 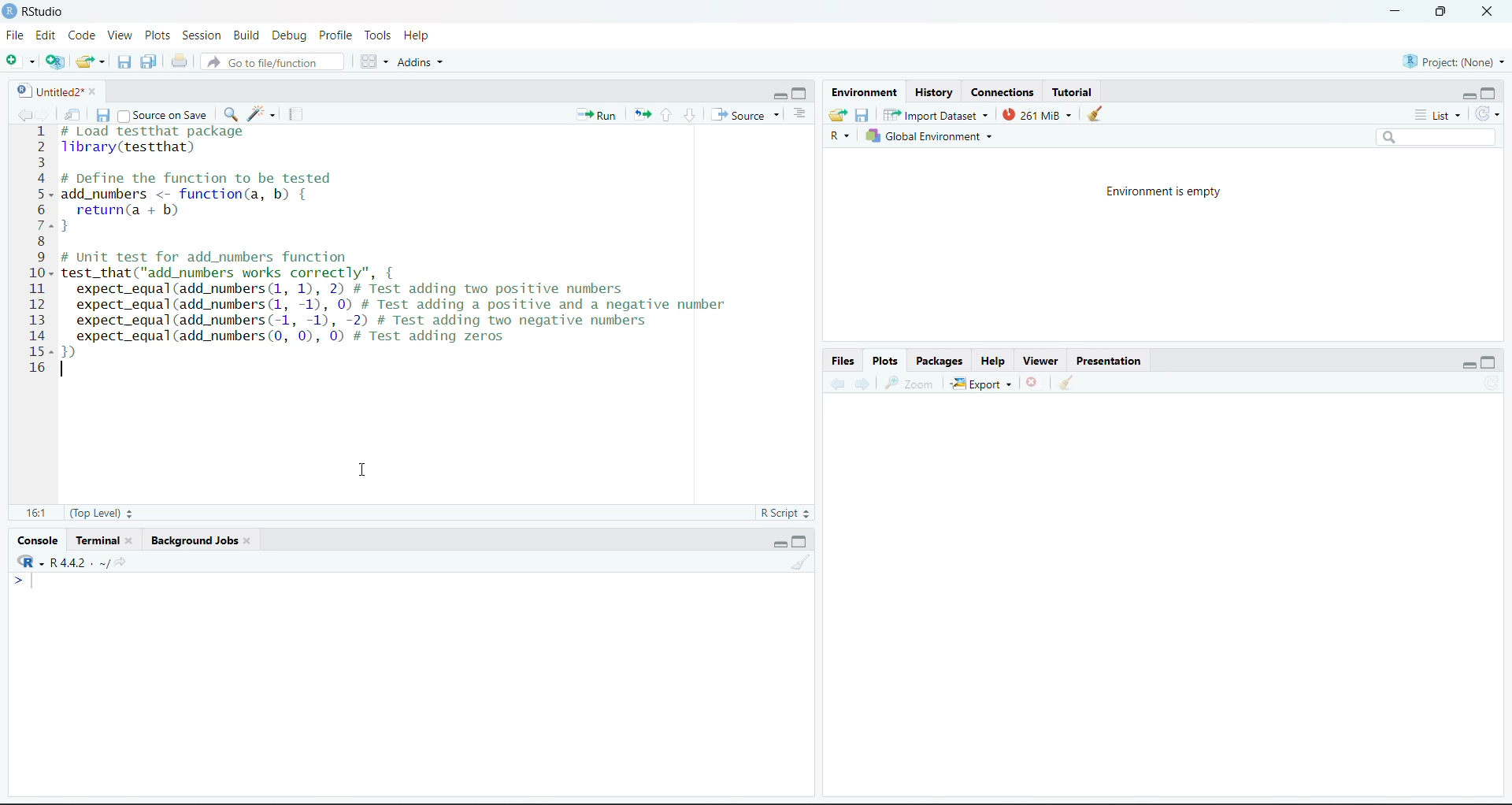 I want to click on typing cursor, so click(x=27, y=583).